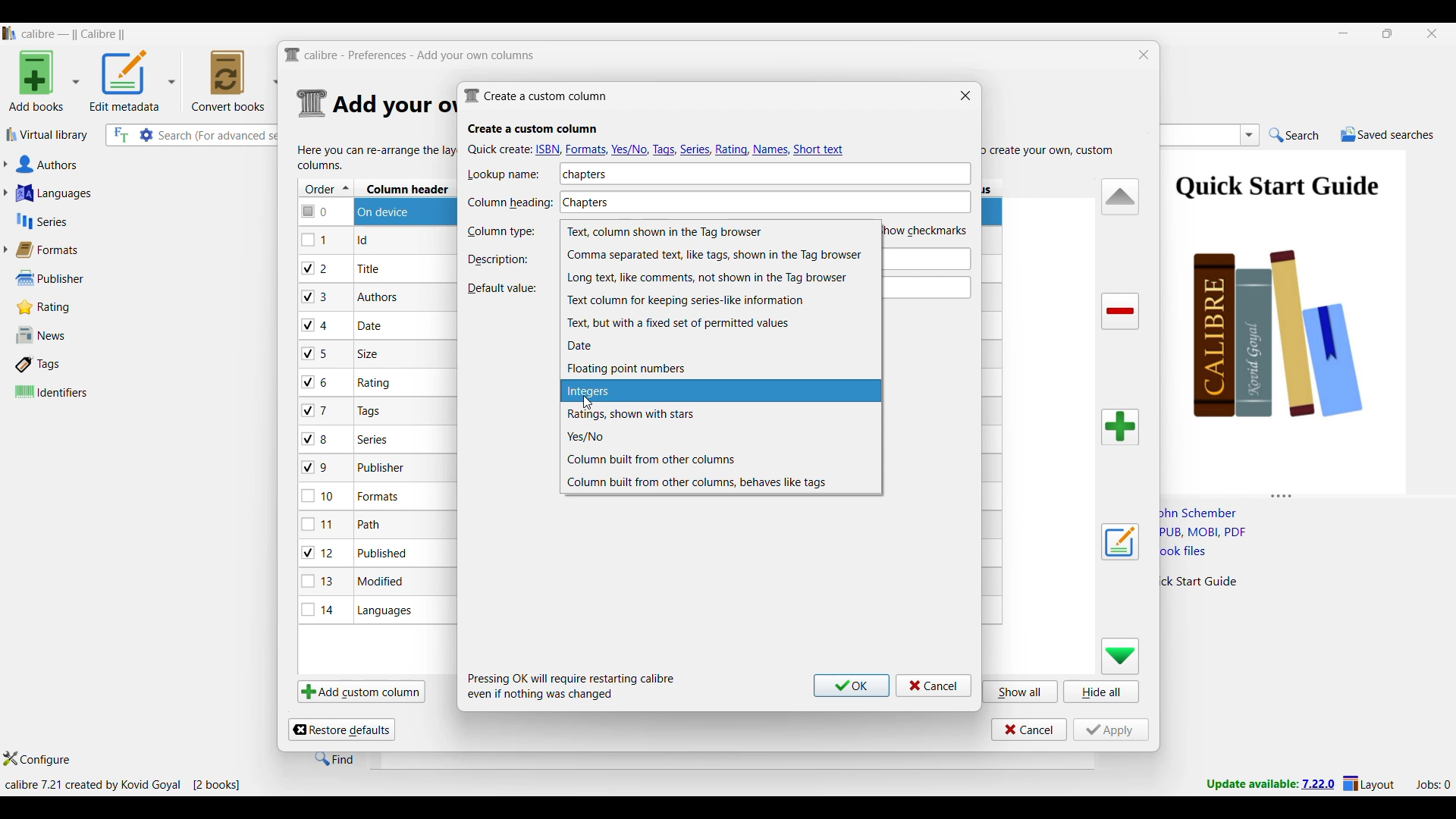 Image resolution: width=1456 pixels, height=819 pixels. What do you see at coordinates (720, 437) in the screenshot?
I see `Yes/No` at bounding box center [720, 437].